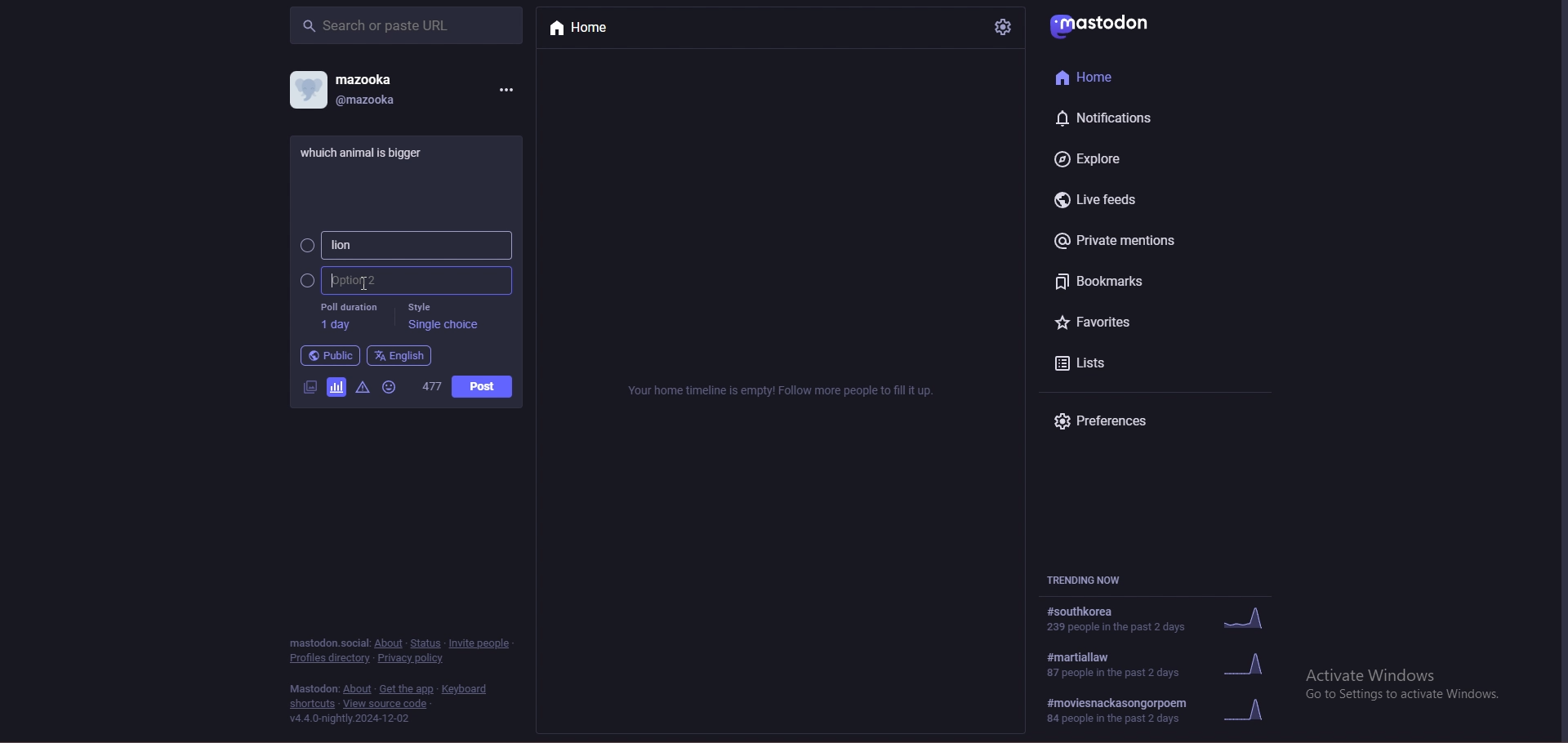 The width and height of the screenshot is (1568, 743). What do you see at coordinates (1104, 200) in the screenshot?
I see `live feeds` at bounding box center [1104, 200].